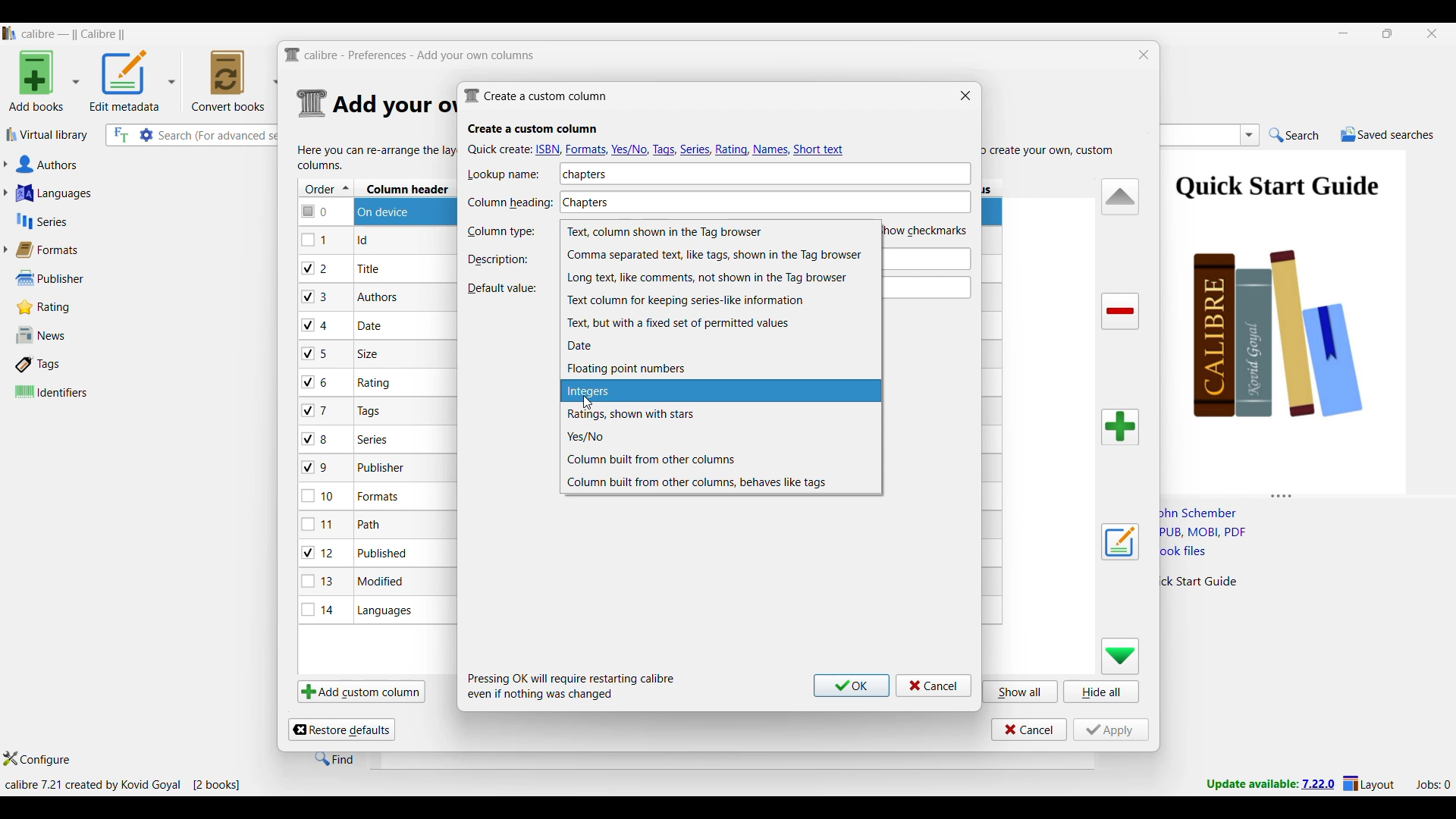 The height and width of the screenshot is (819, 1456). Describe the element at coordinates (315, 468) in the screenshot. I see `checkbox - 9` at that location.